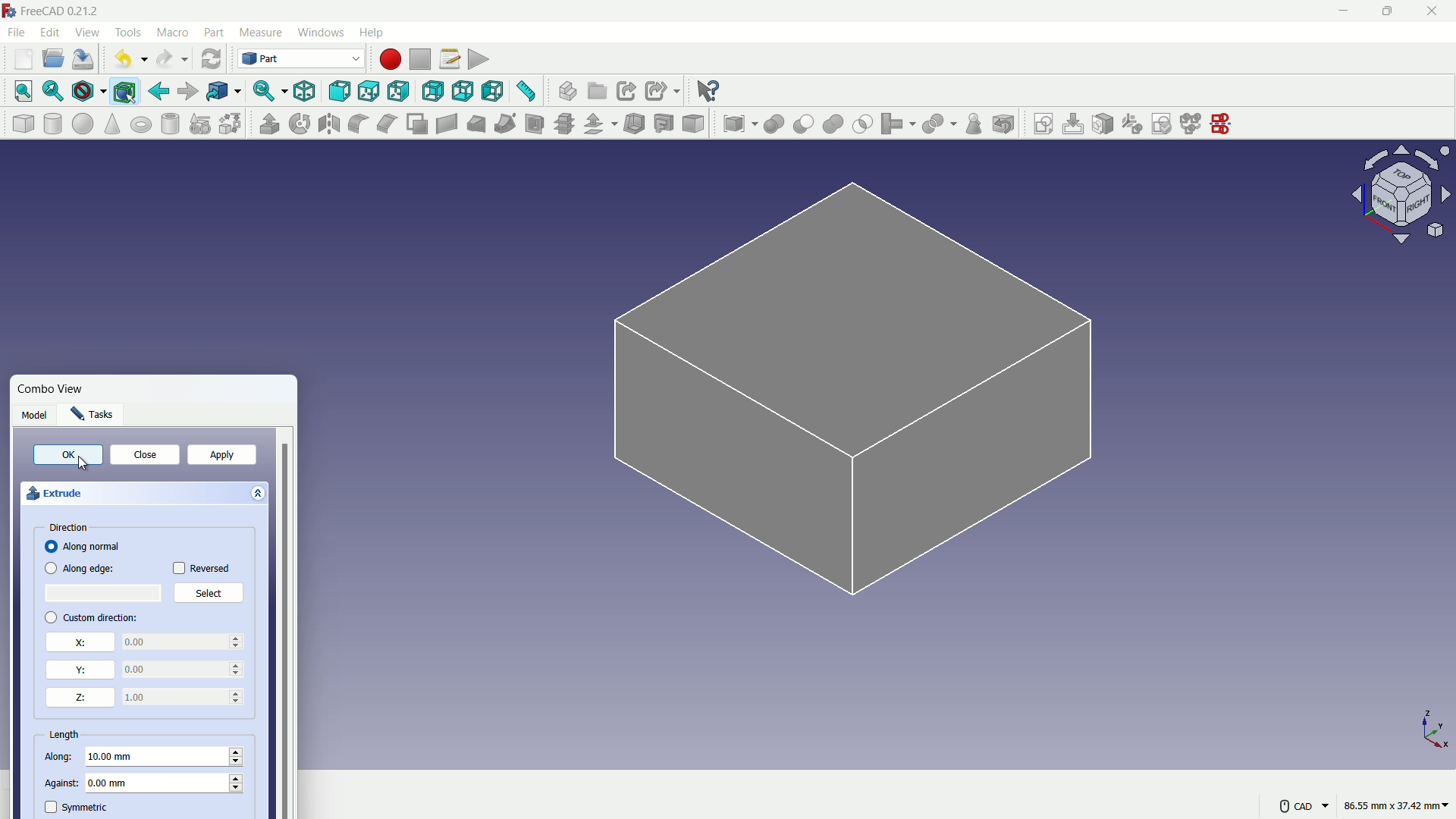  I want to click on x direction, so click(80, 642).